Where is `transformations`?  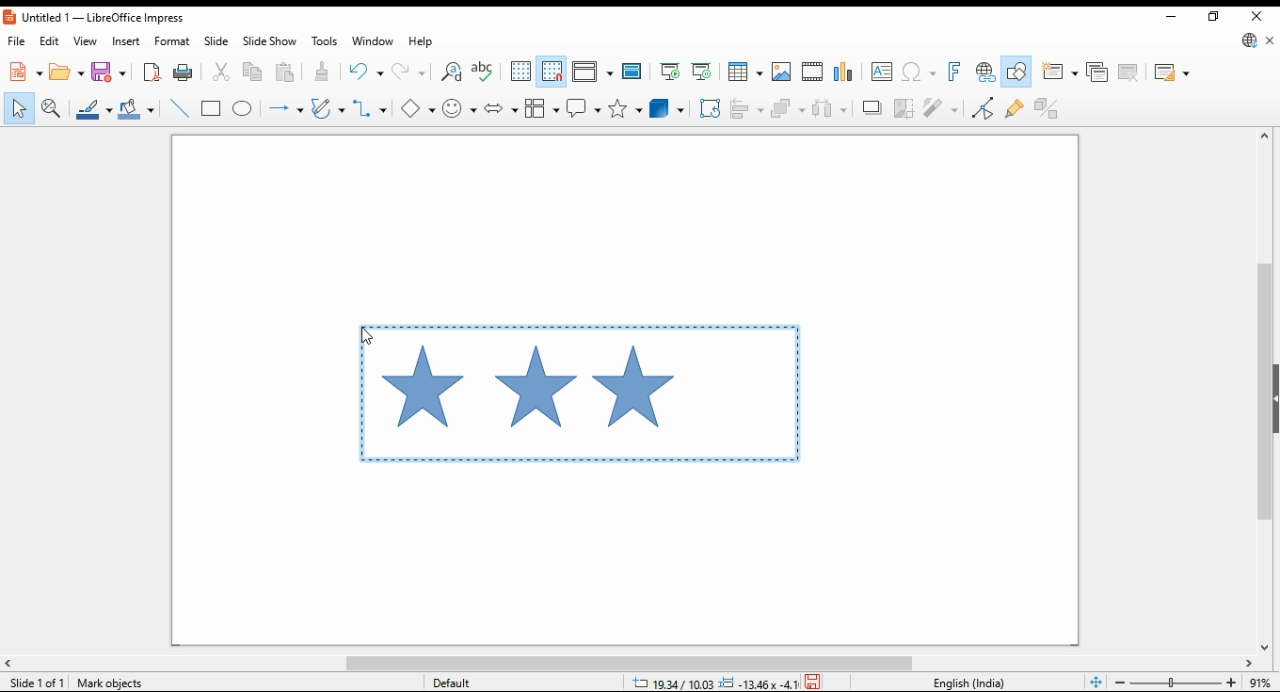 transformations is located at coordinates (710, 110).